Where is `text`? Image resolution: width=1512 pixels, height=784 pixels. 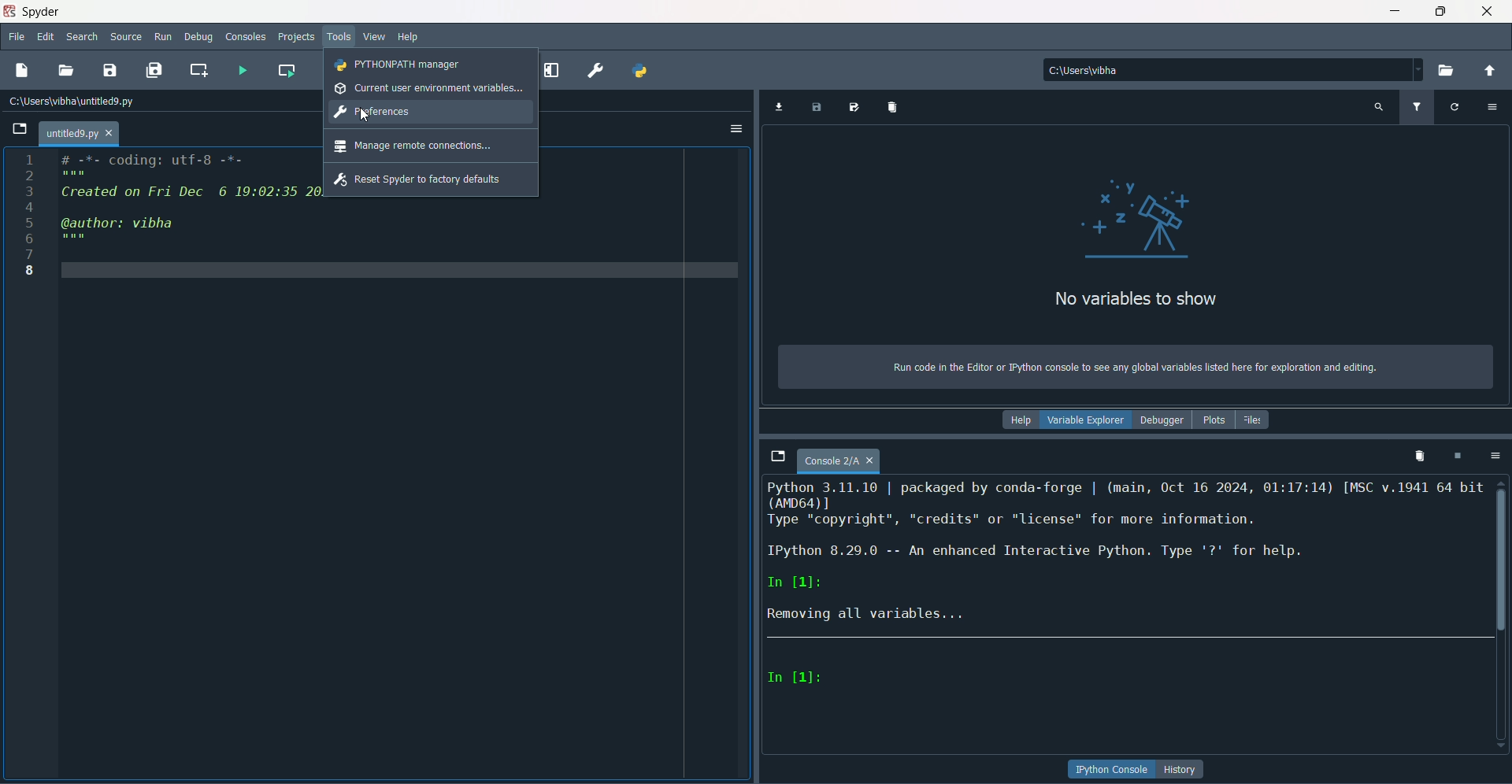 text is located at coordinates (1135, 300).